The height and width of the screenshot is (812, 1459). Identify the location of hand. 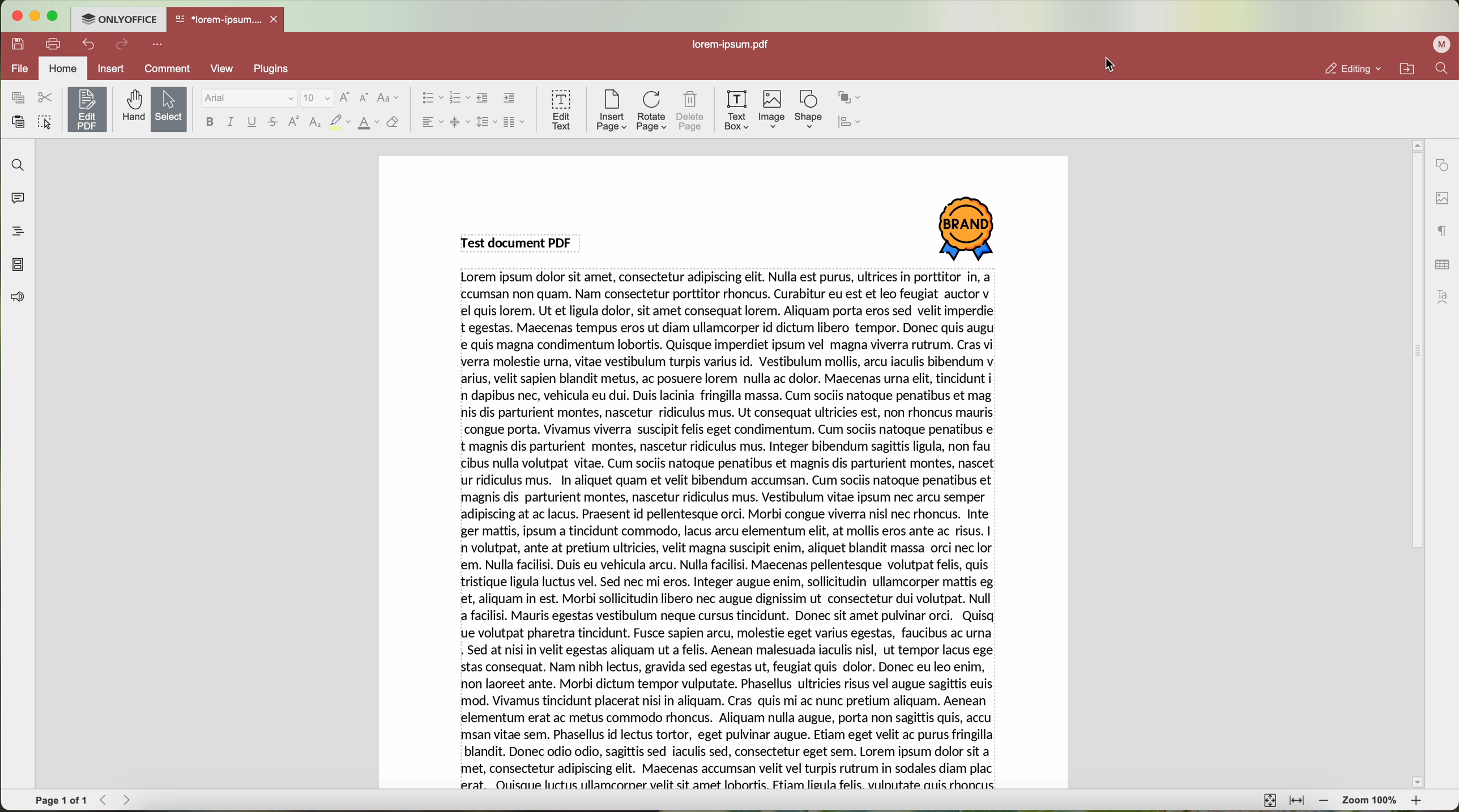
(132, 106).